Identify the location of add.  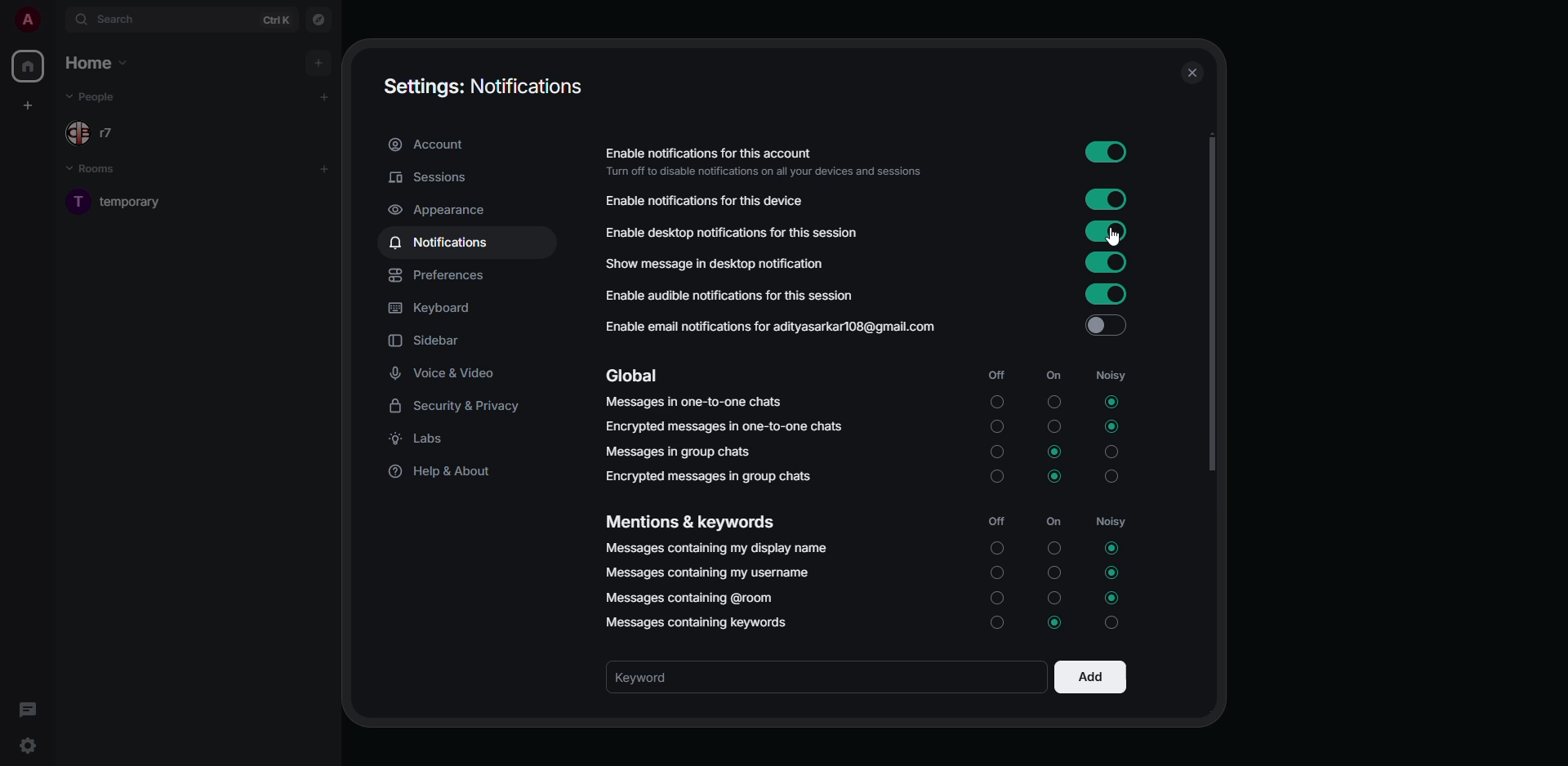
(324, 169).